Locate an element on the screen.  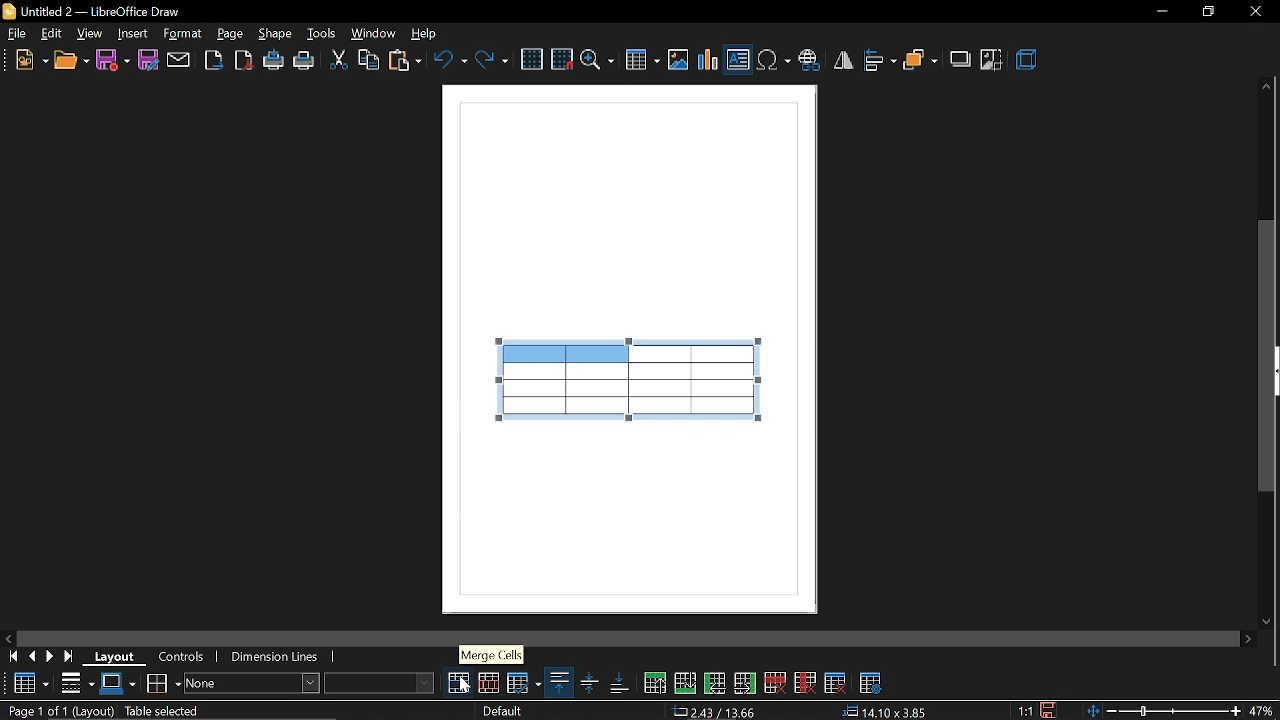
insert symbol is located at coordinates (773, 57).